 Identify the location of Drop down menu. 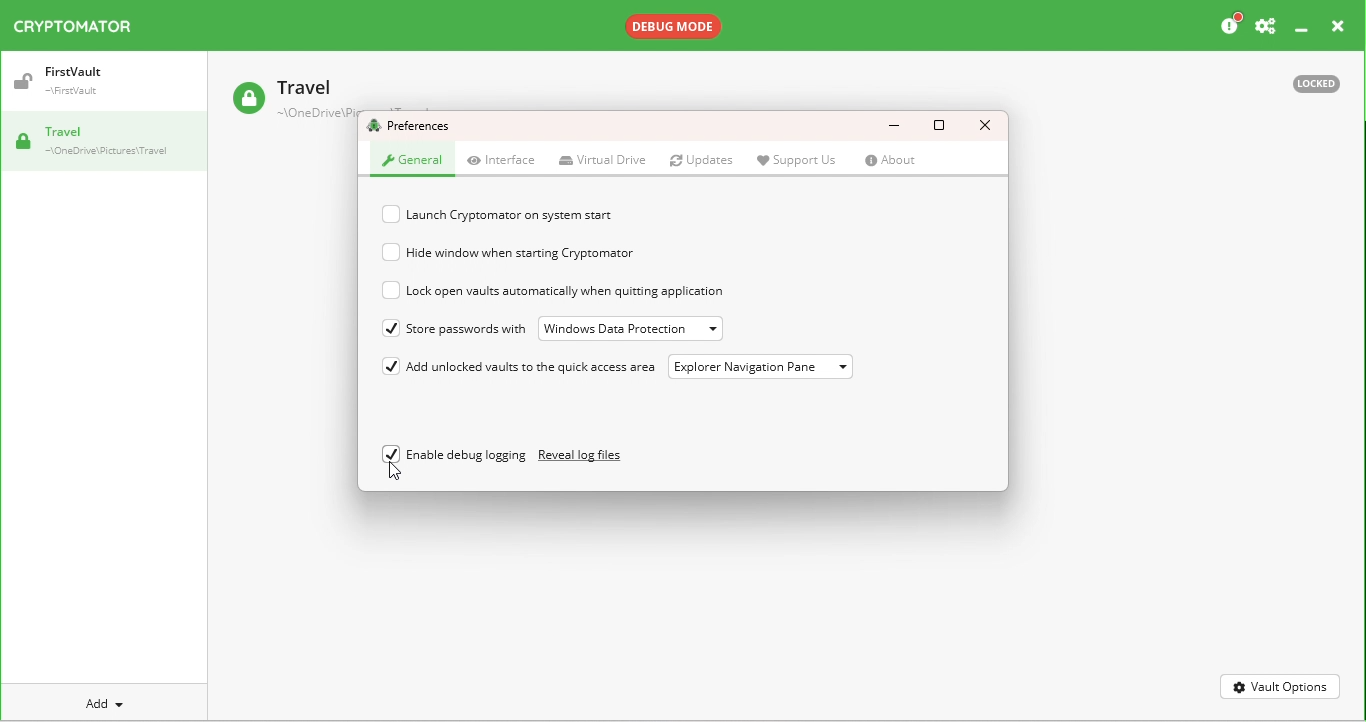
(631, 328).